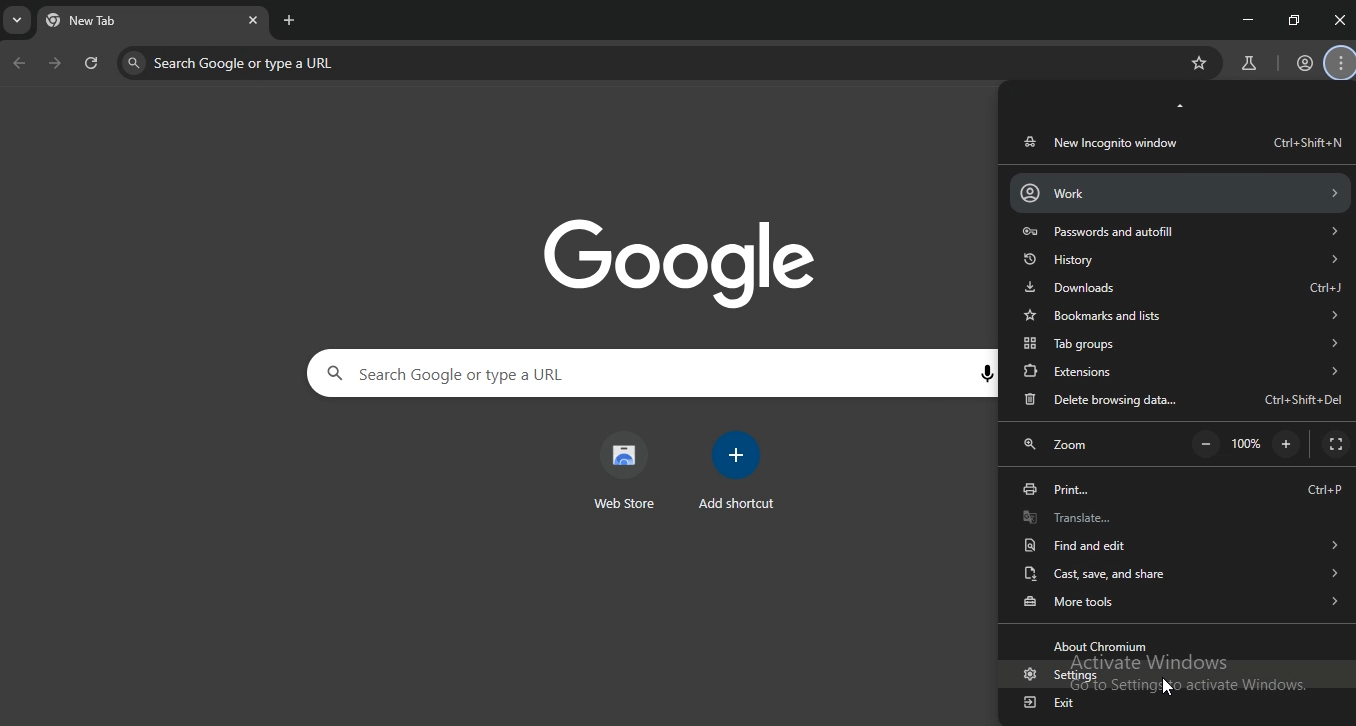  Describe the element at coordinates (740, 471) in the screenshot. I see `add shortcut` at that location.